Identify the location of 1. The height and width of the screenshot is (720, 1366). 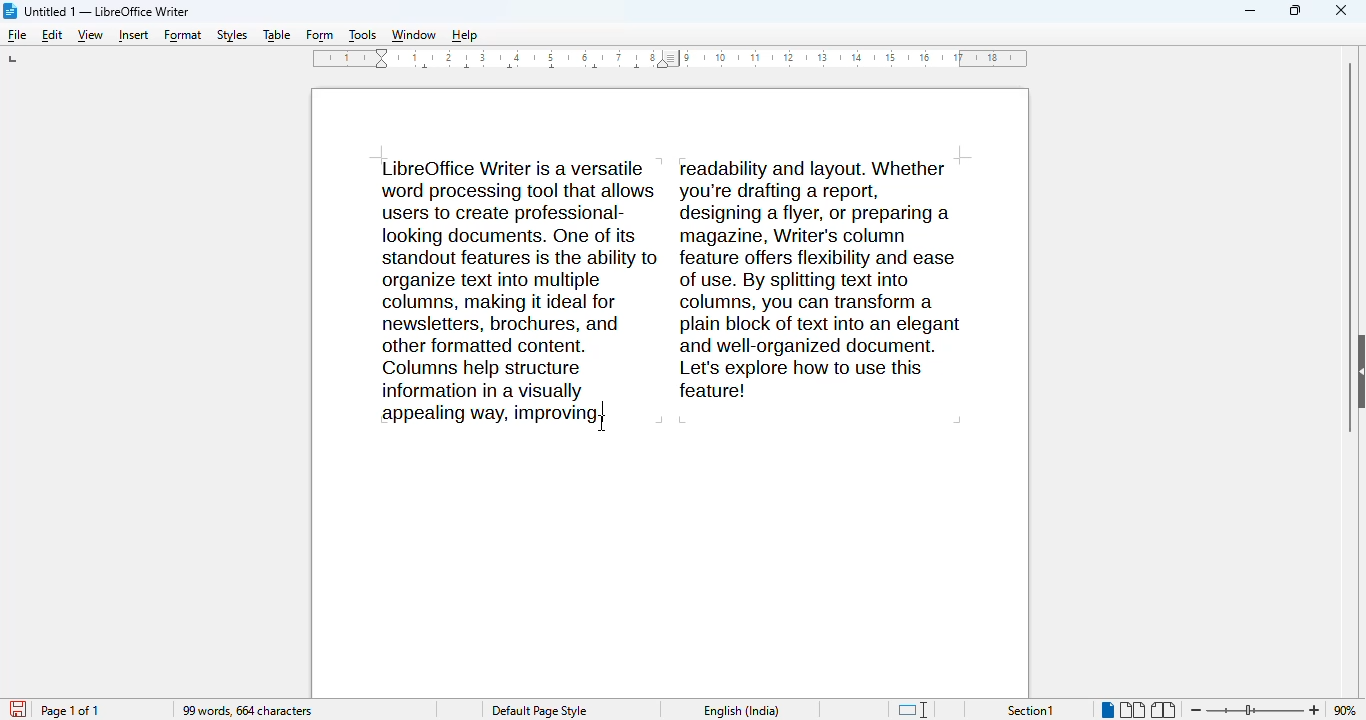
(341, 58).